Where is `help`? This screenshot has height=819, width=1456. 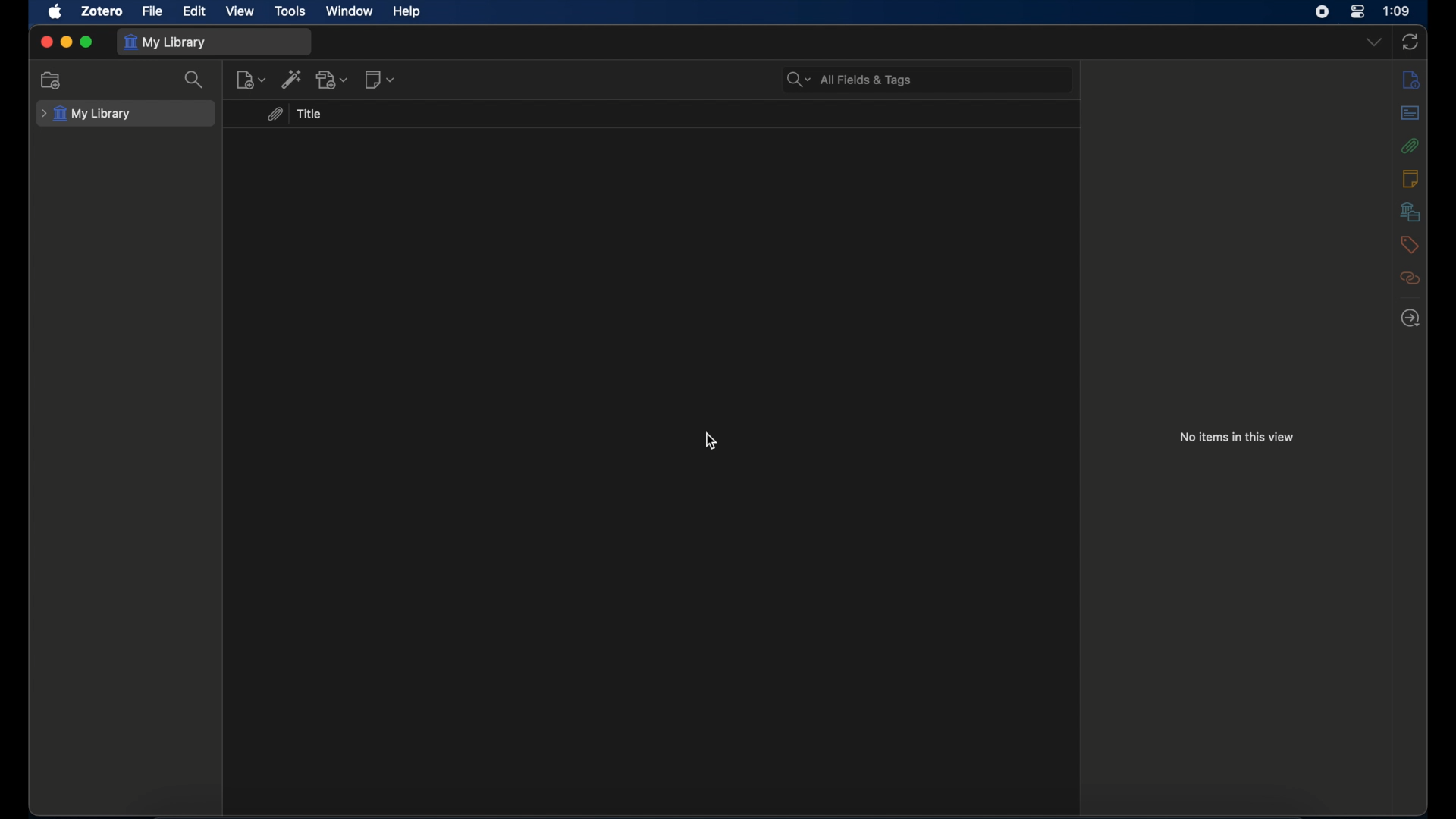 help is located at coordinates (406, 12).